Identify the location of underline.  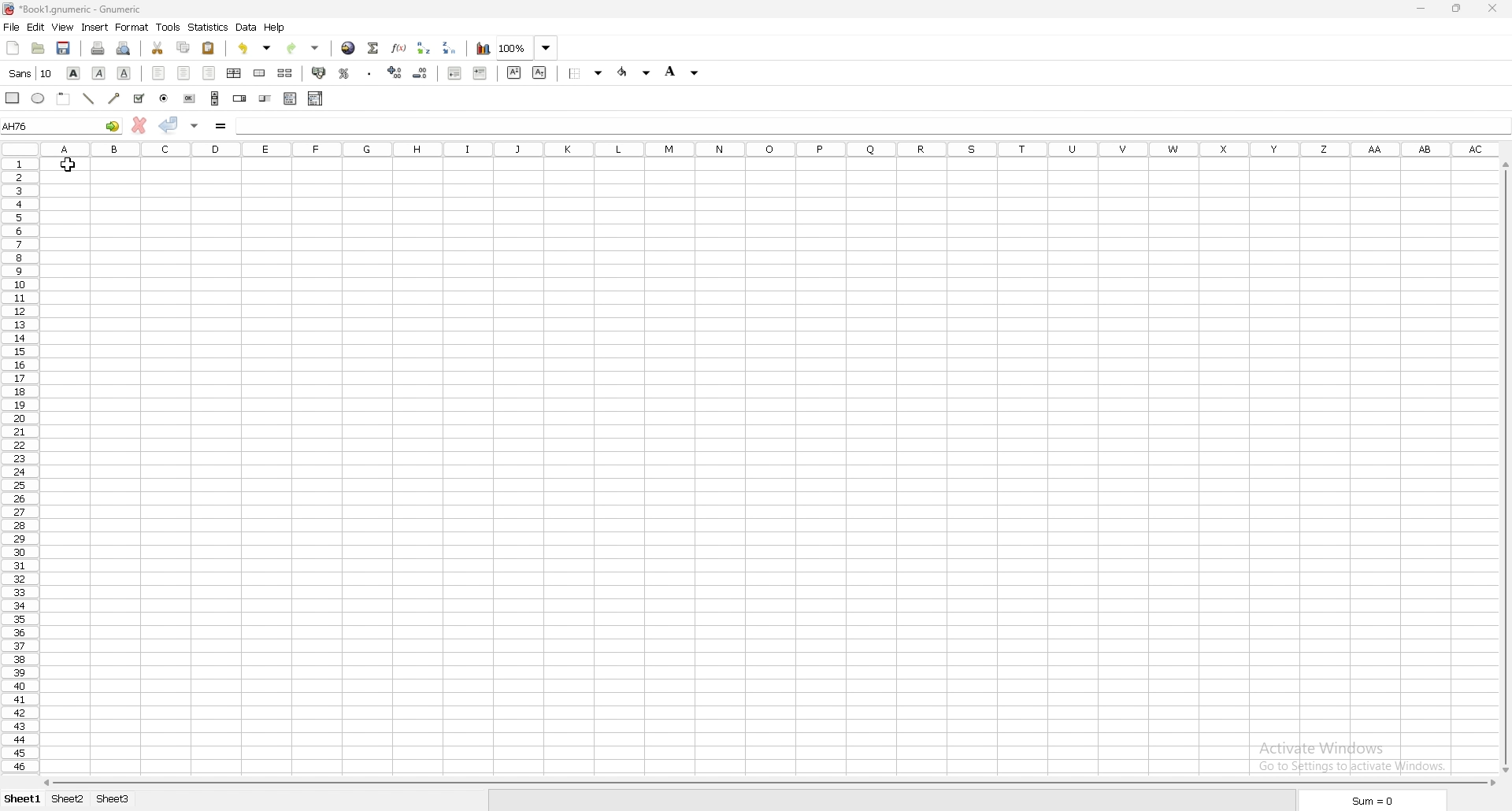
(125, 74).